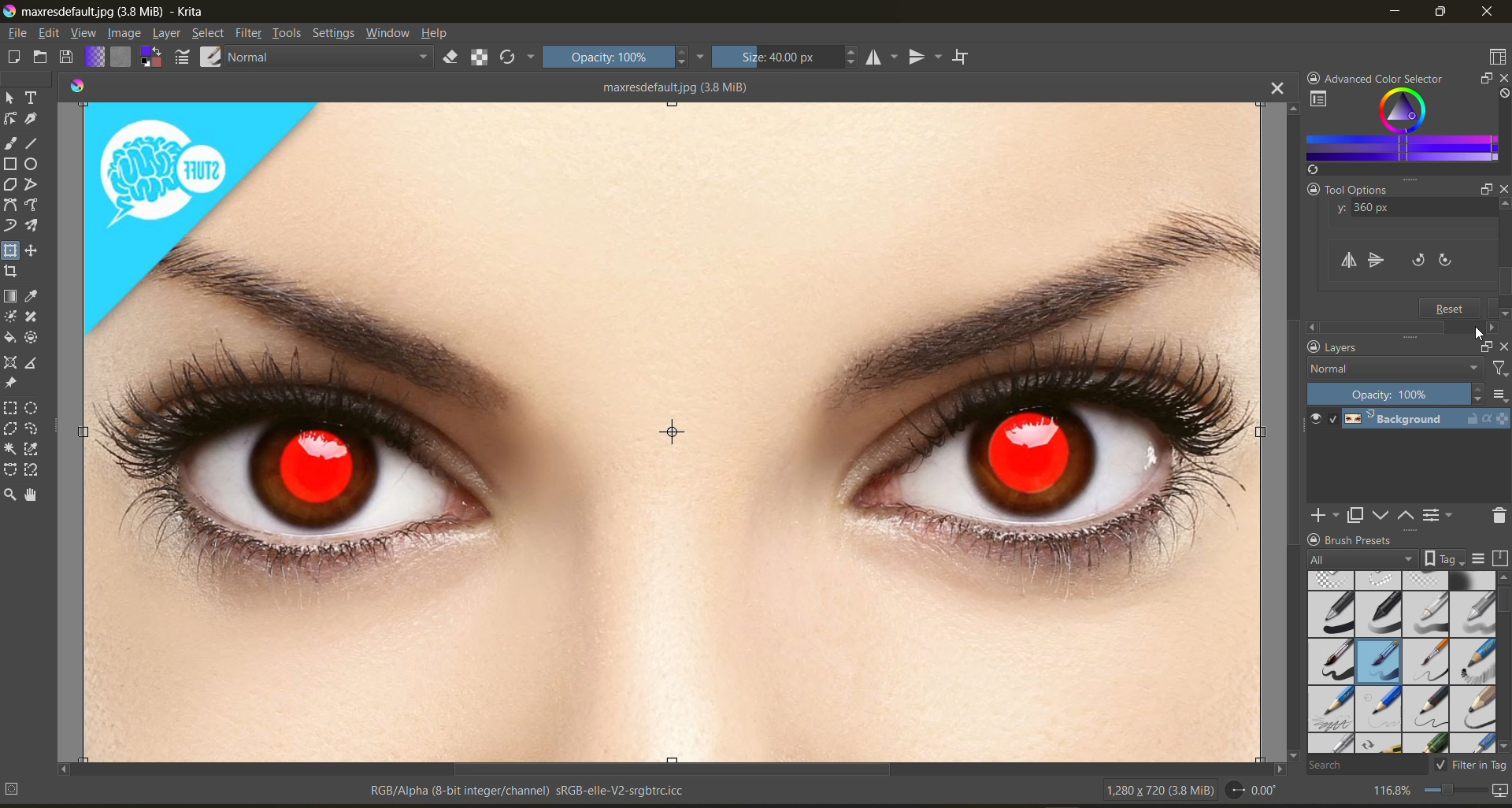 This screenshot has width=1512, height=808. What do you see at coordinates (32, 365) in the screenshot?
I see `tool` at bounding box center [32, 365].